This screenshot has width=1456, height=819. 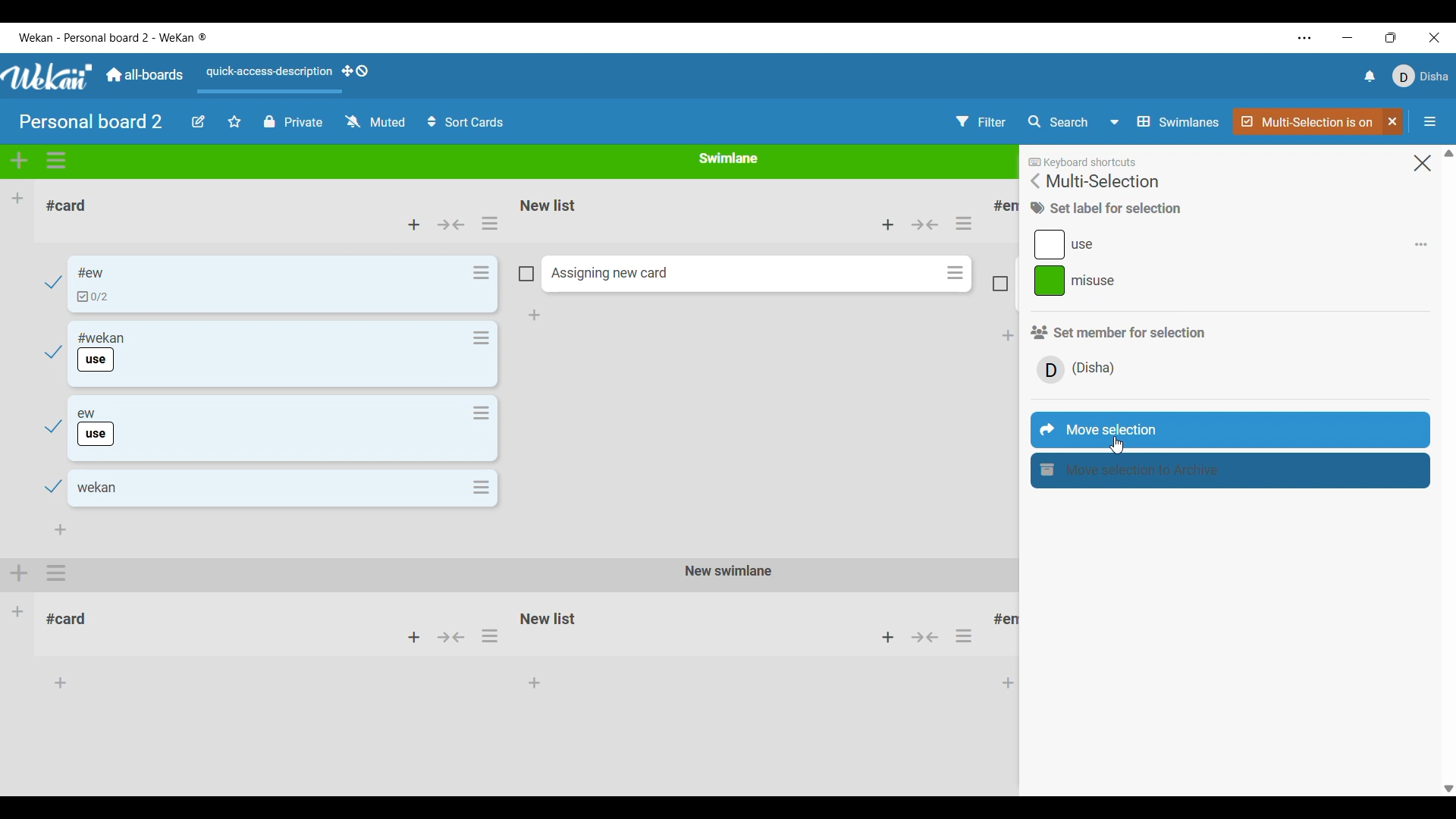 I want to click on Title of current menu, so click(x=1103, y=180).